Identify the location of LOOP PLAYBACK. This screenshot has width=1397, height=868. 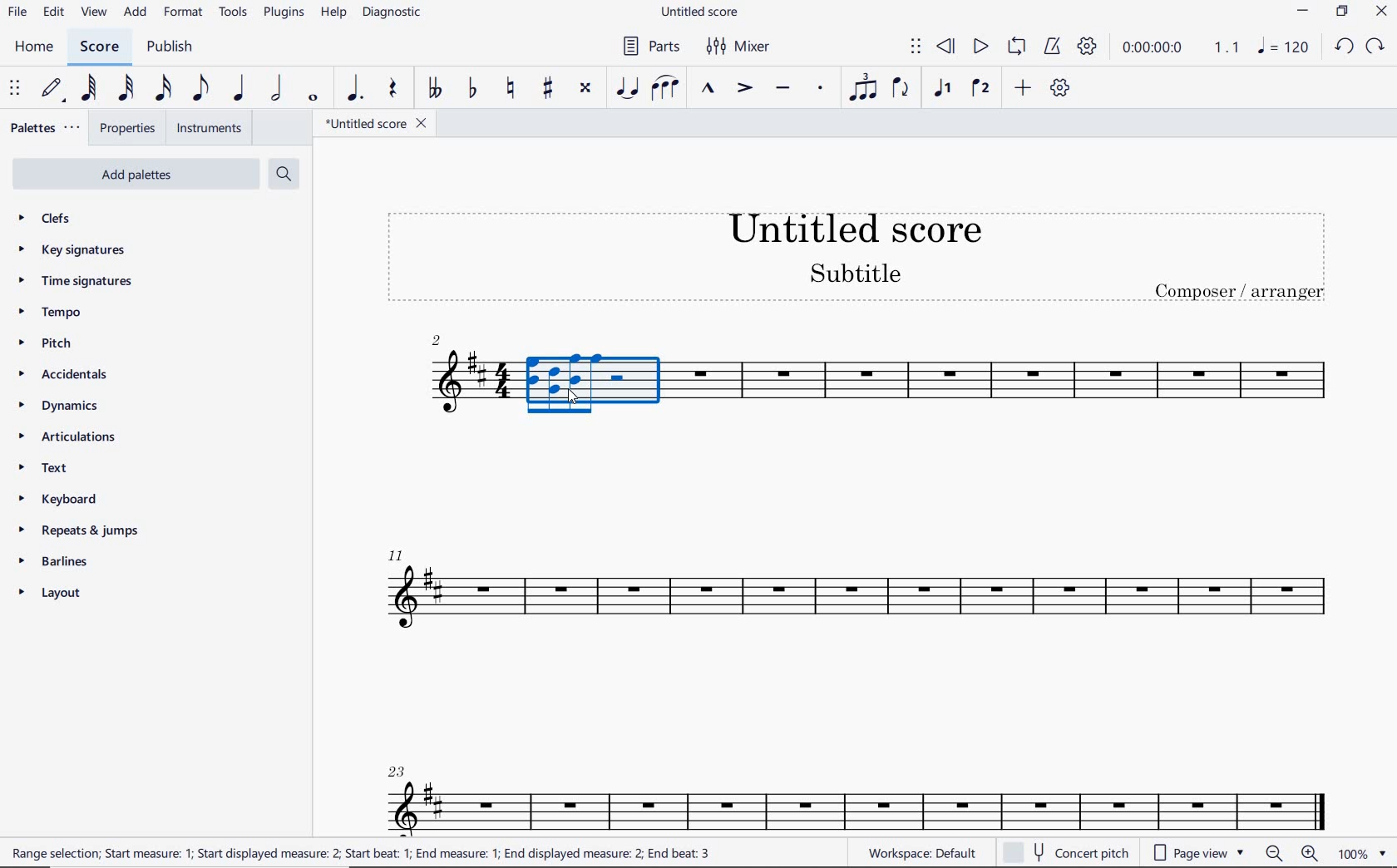
(1016, 48).